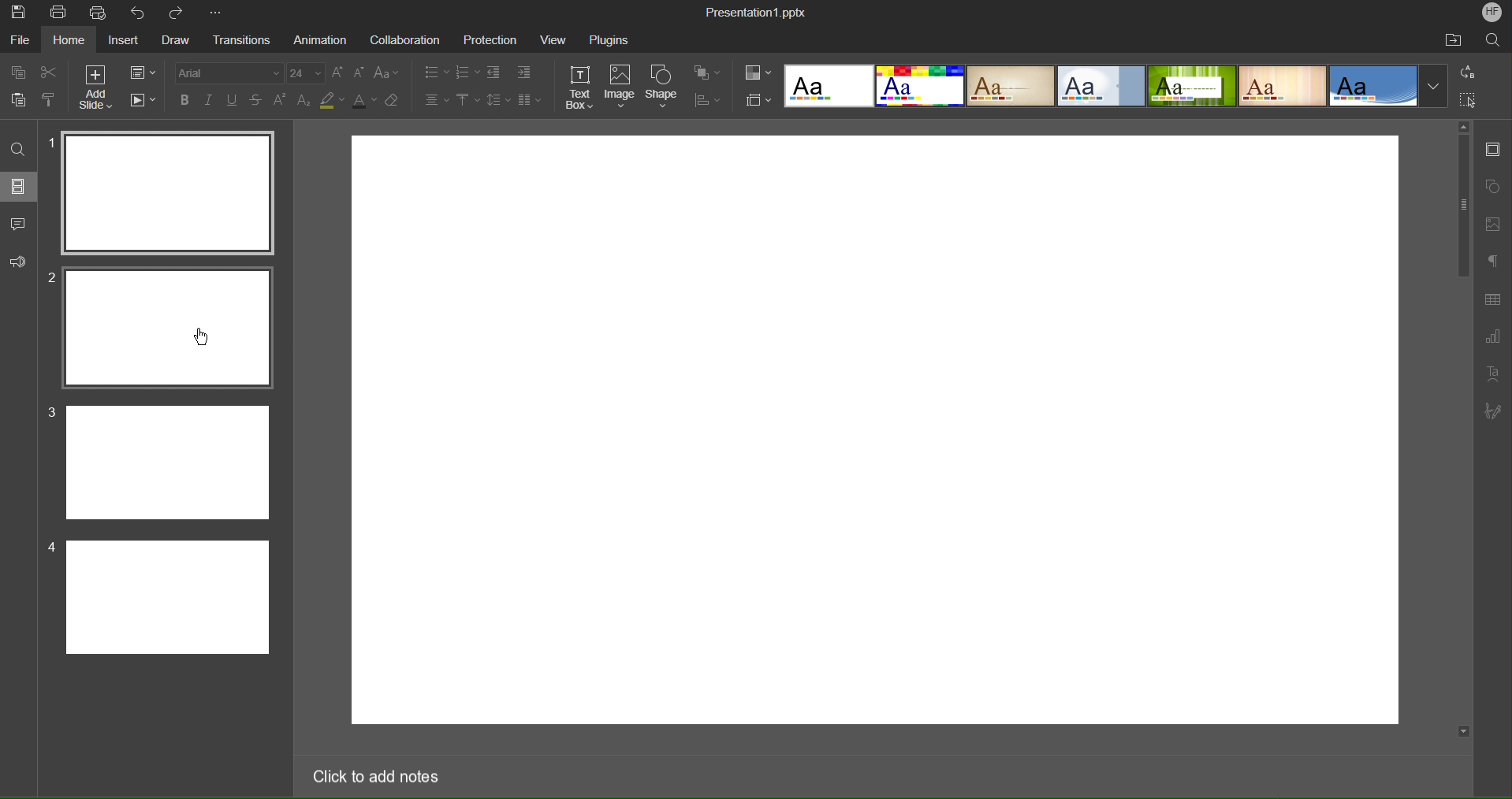  What do you see at coordinates (1467, 100) in the screenshot?
I see `Selection` at bounding box center [1467, 100].